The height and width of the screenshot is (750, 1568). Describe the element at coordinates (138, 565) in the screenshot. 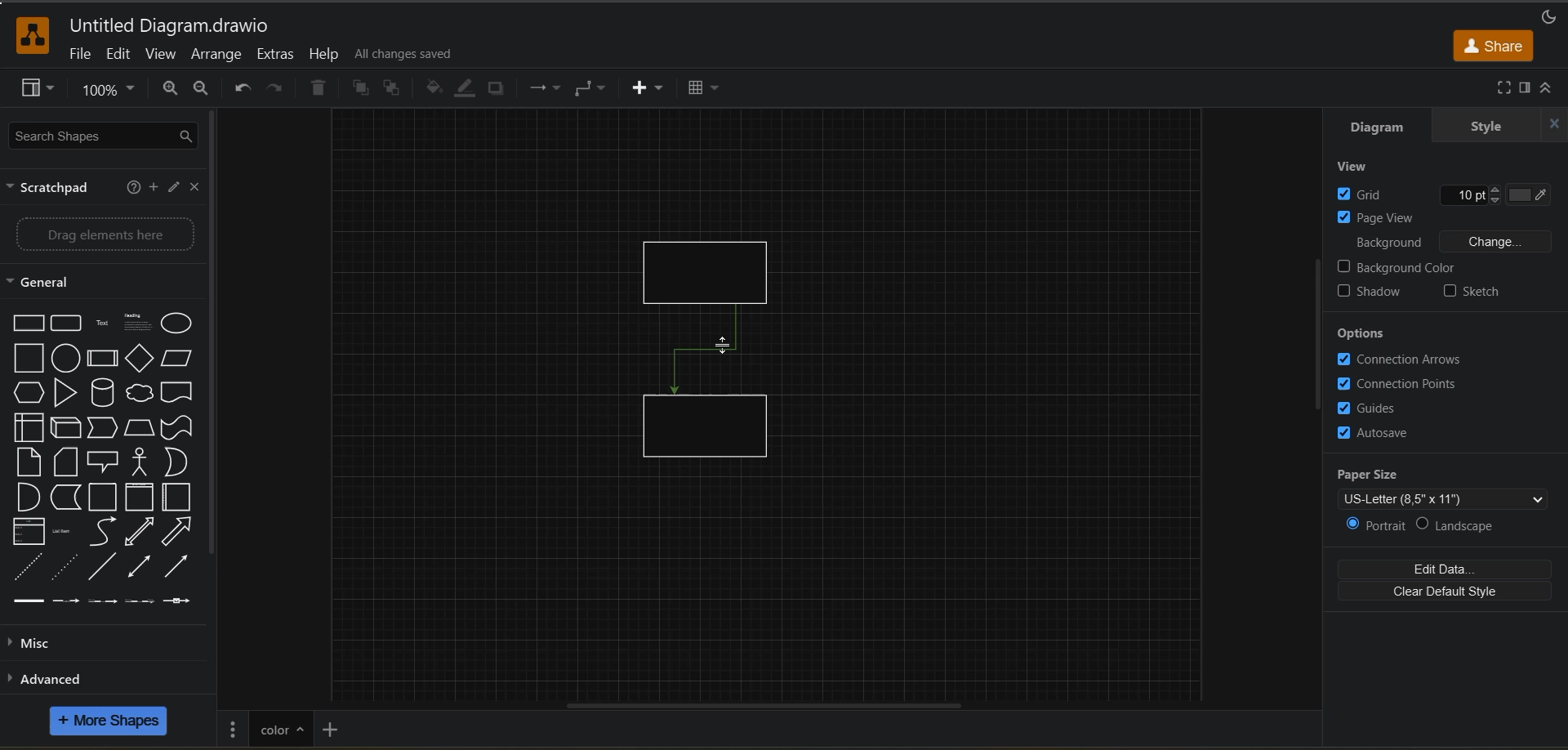

I see `Bidirectional Arrow` at that location.